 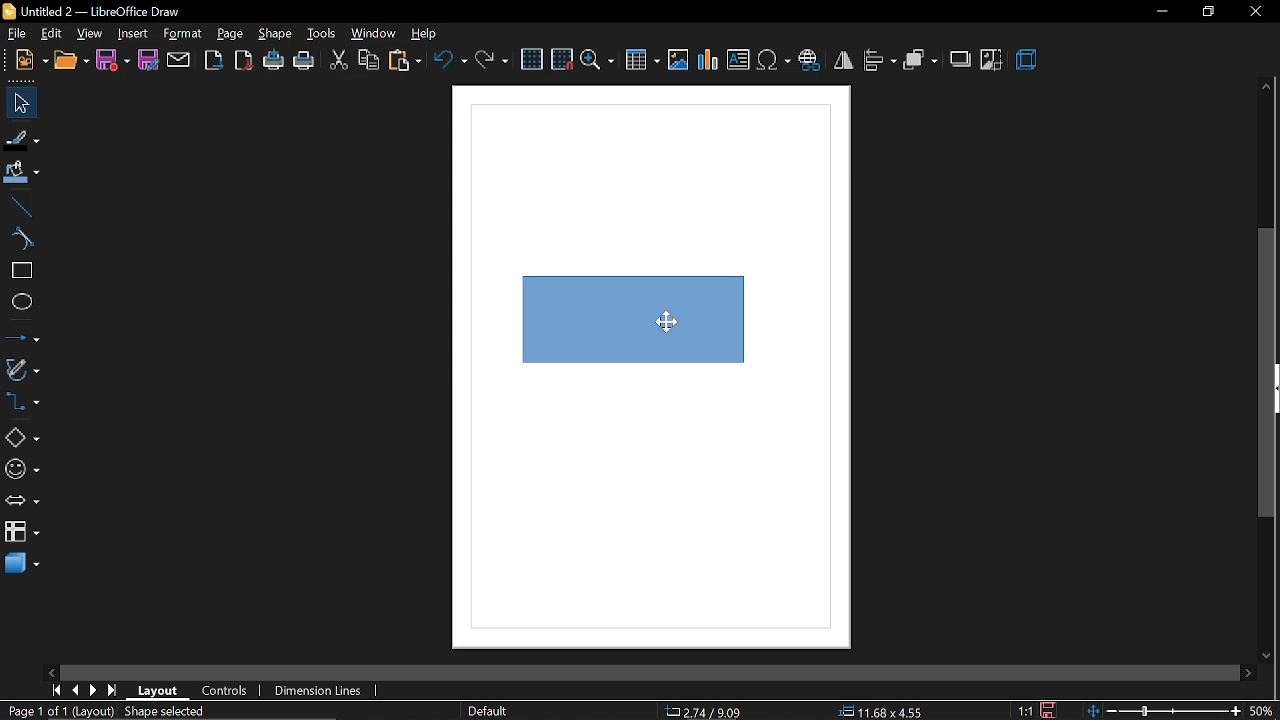 I want to click on controls, so click(x=229, y=691).